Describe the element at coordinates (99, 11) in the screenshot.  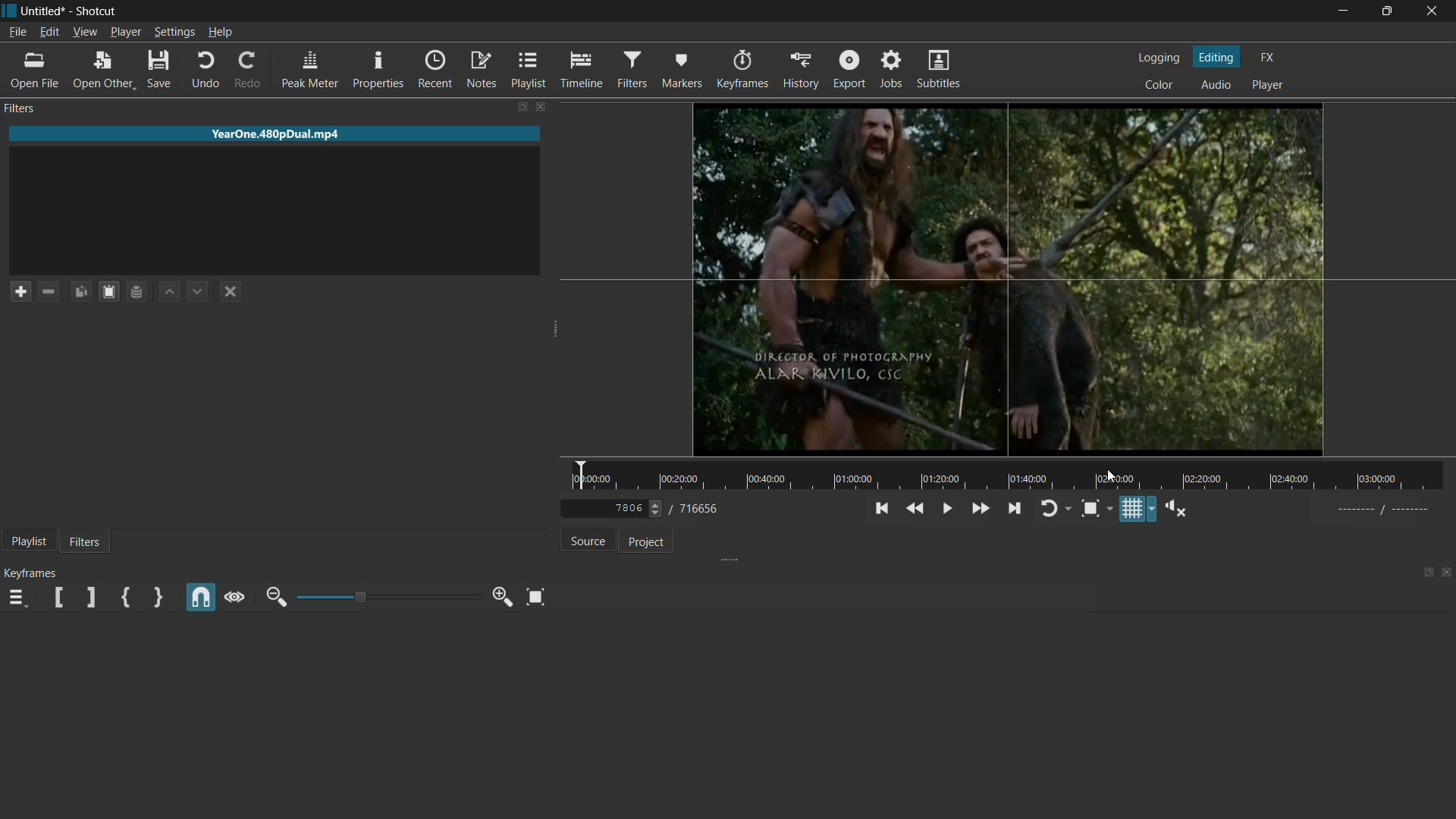
I see `app name` at that location.